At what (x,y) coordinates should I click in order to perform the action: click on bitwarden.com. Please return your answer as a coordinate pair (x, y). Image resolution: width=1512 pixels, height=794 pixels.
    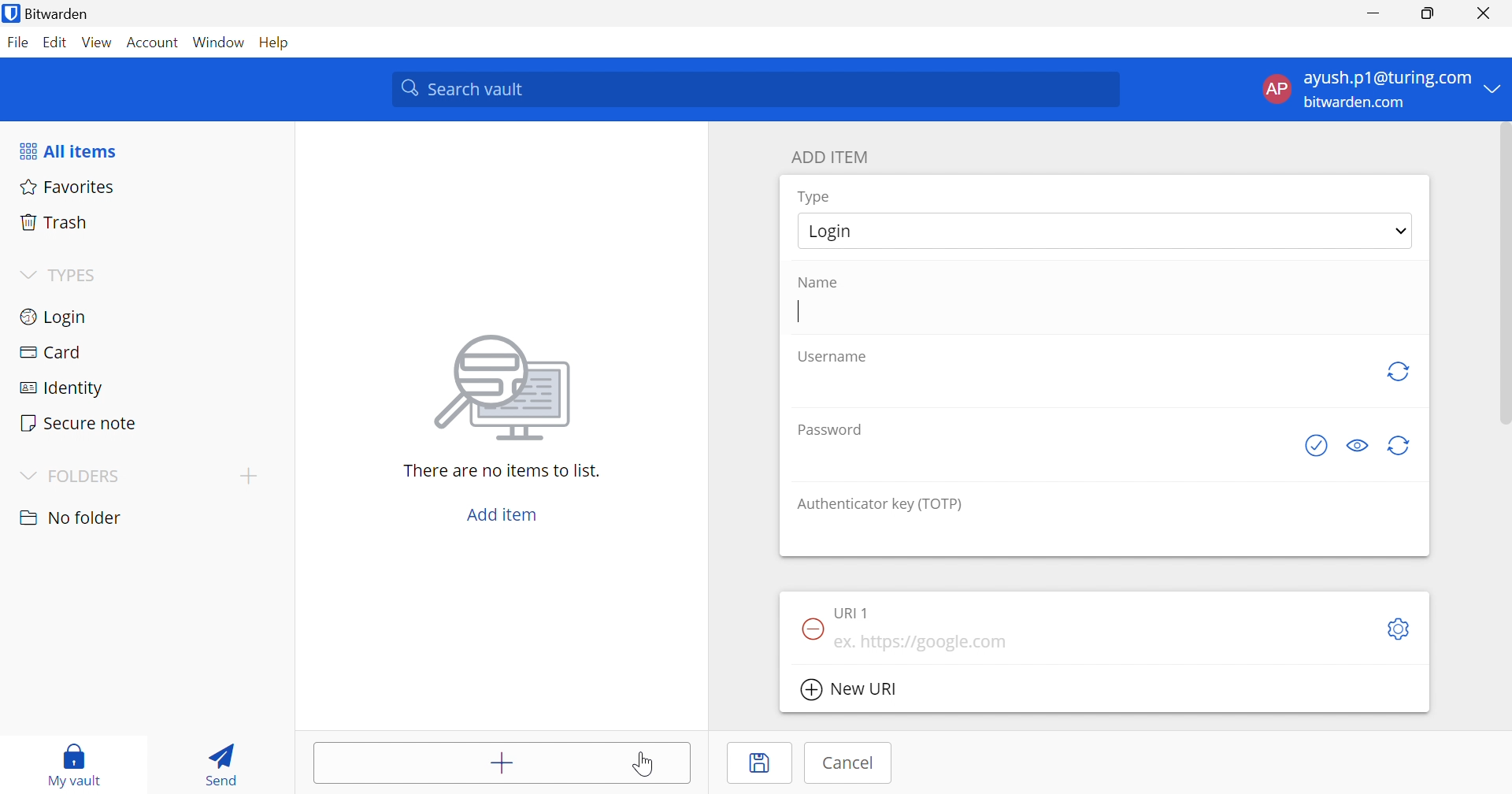
    Looking at the image, I should click on (1358, 103).